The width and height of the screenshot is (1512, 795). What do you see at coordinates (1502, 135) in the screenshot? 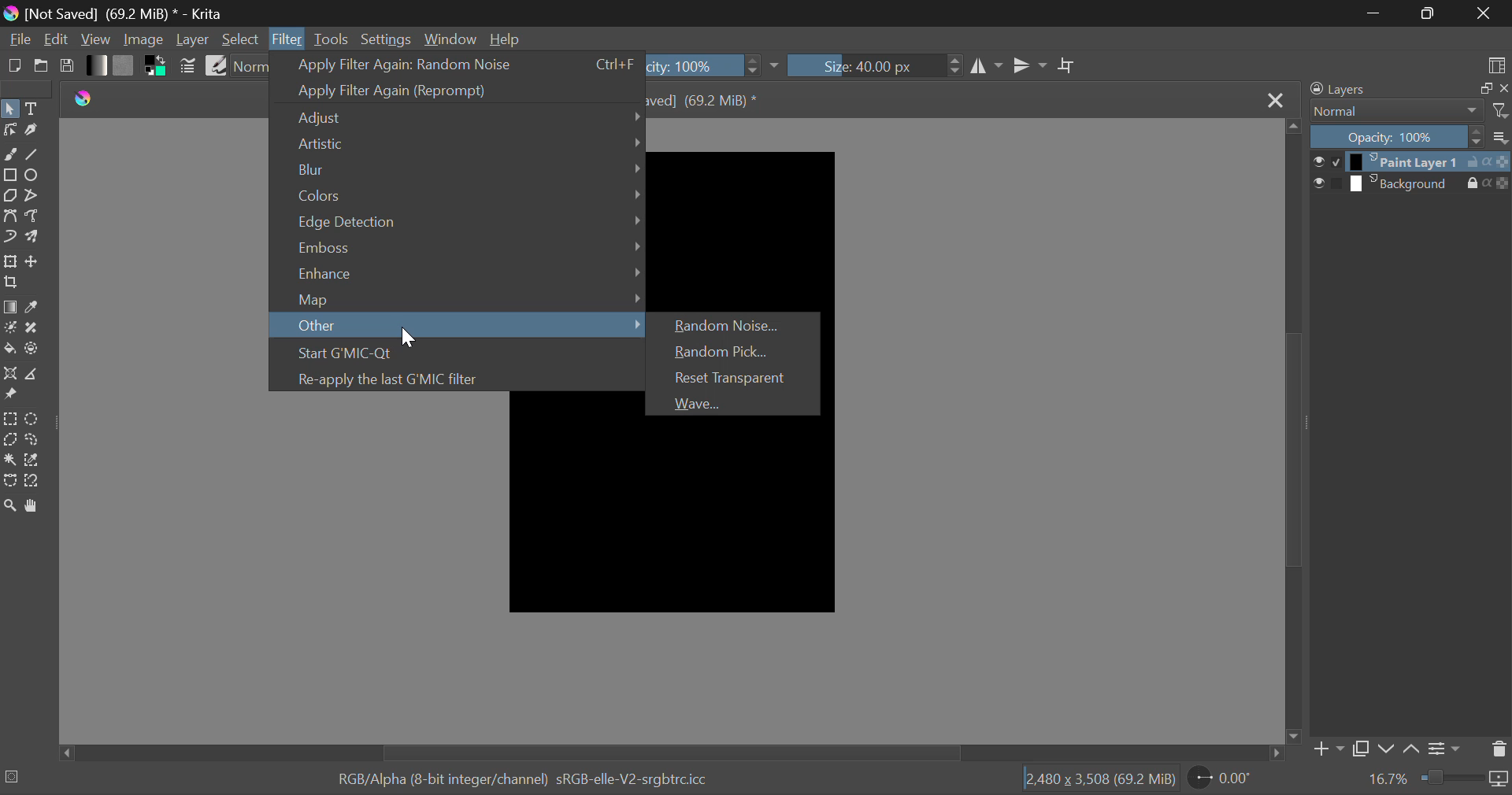
I see `options` at bounding box center [1502, 135].